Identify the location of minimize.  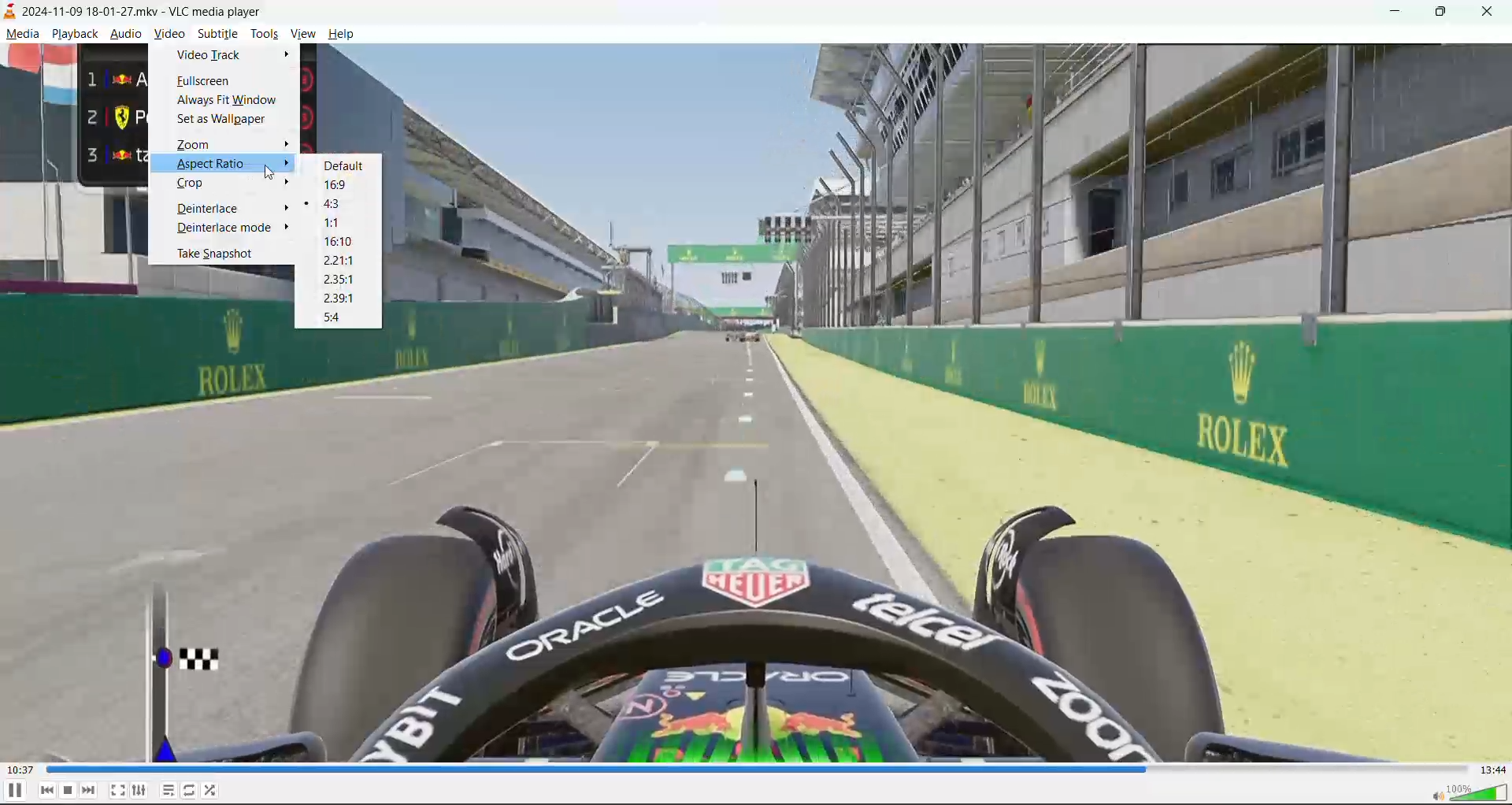
(1392, 13).